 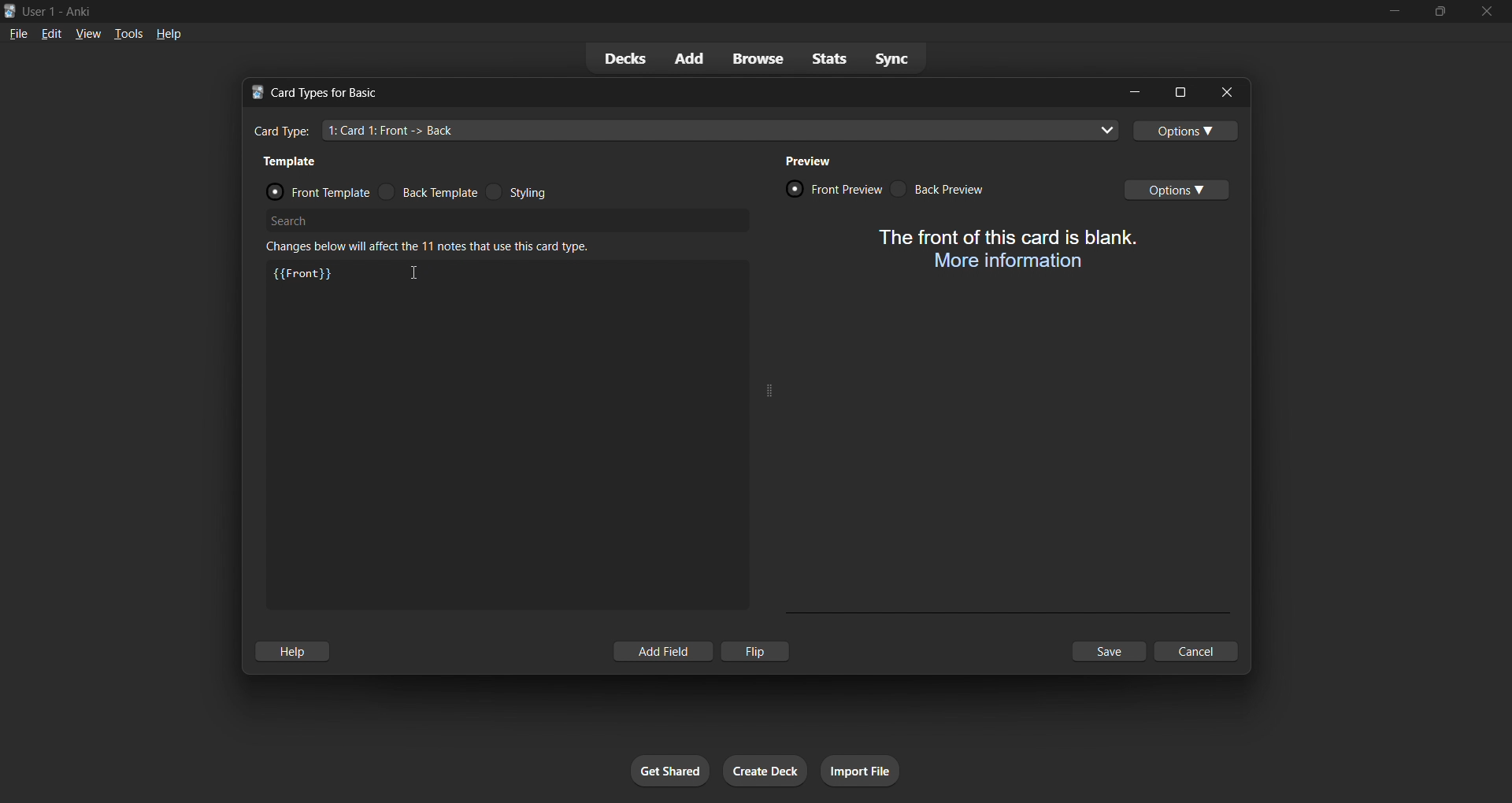 What do you see at coordinates (889, 60) in the screenshot?
I see `sync` at bounding box center [889, 60].